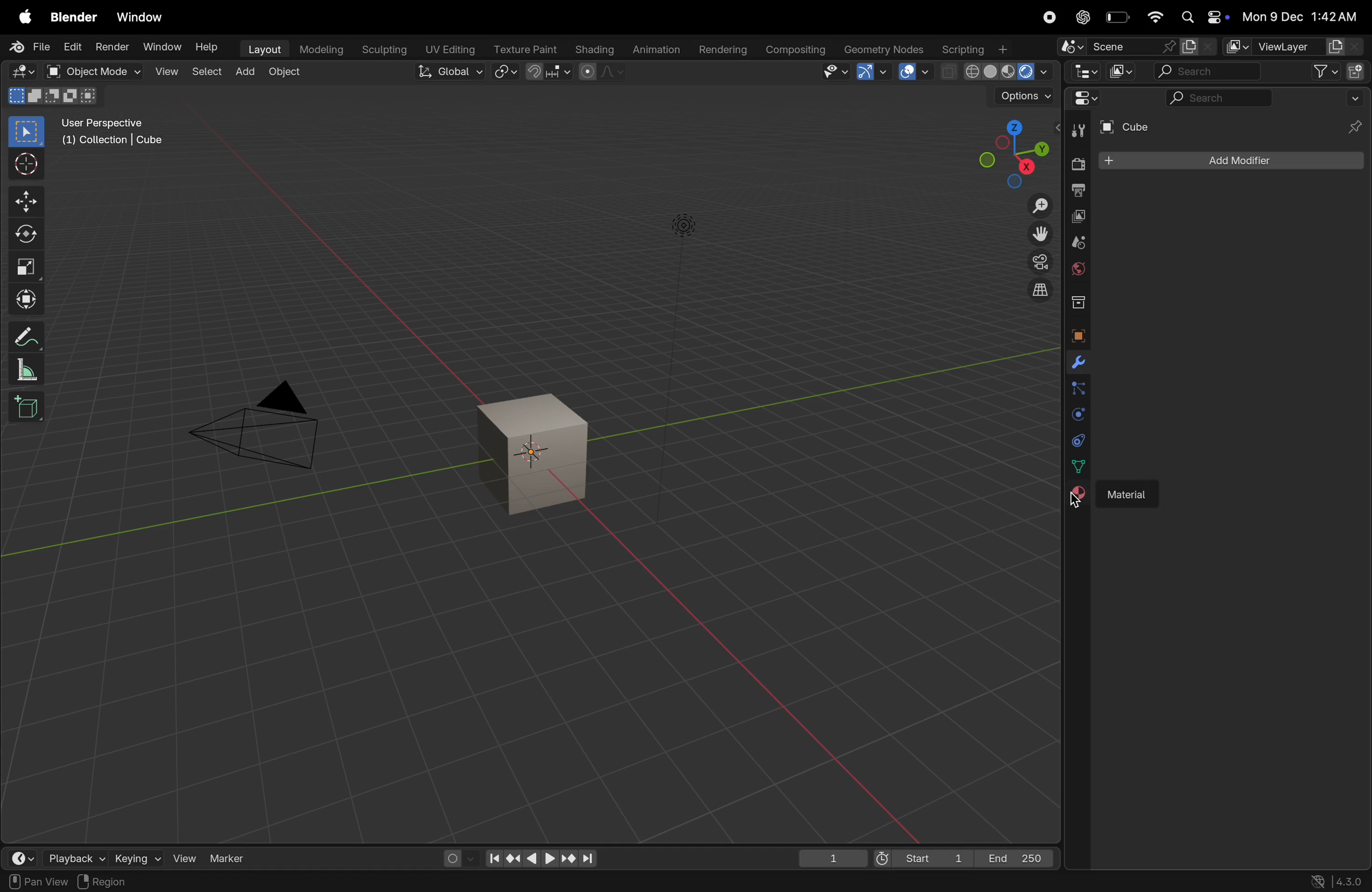 This screenshot has width=1372, height=892. I want to click on zoom i , so click(1041, 202).